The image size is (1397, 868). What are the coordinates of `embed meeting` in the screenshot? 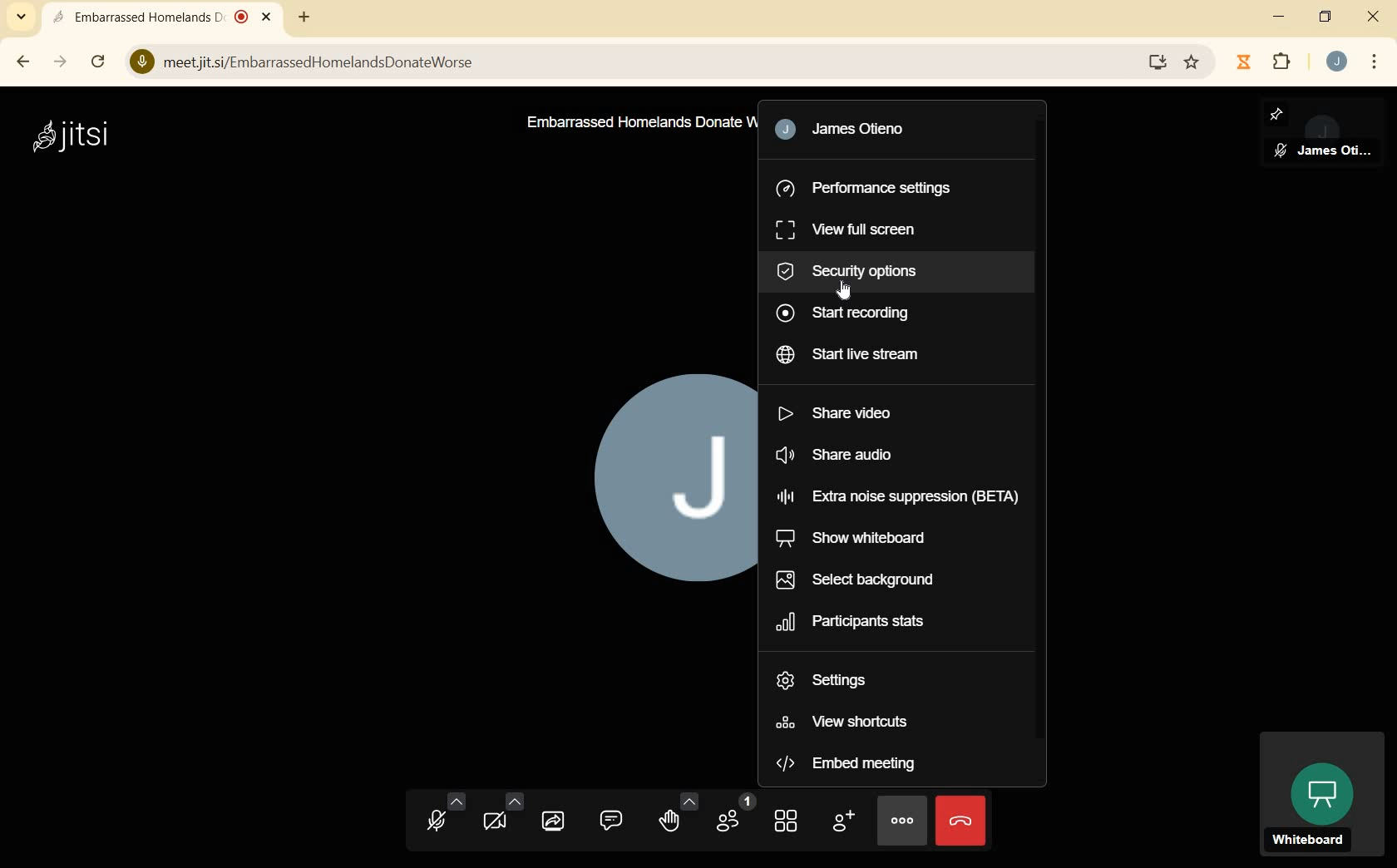 It's located at (850, 765).